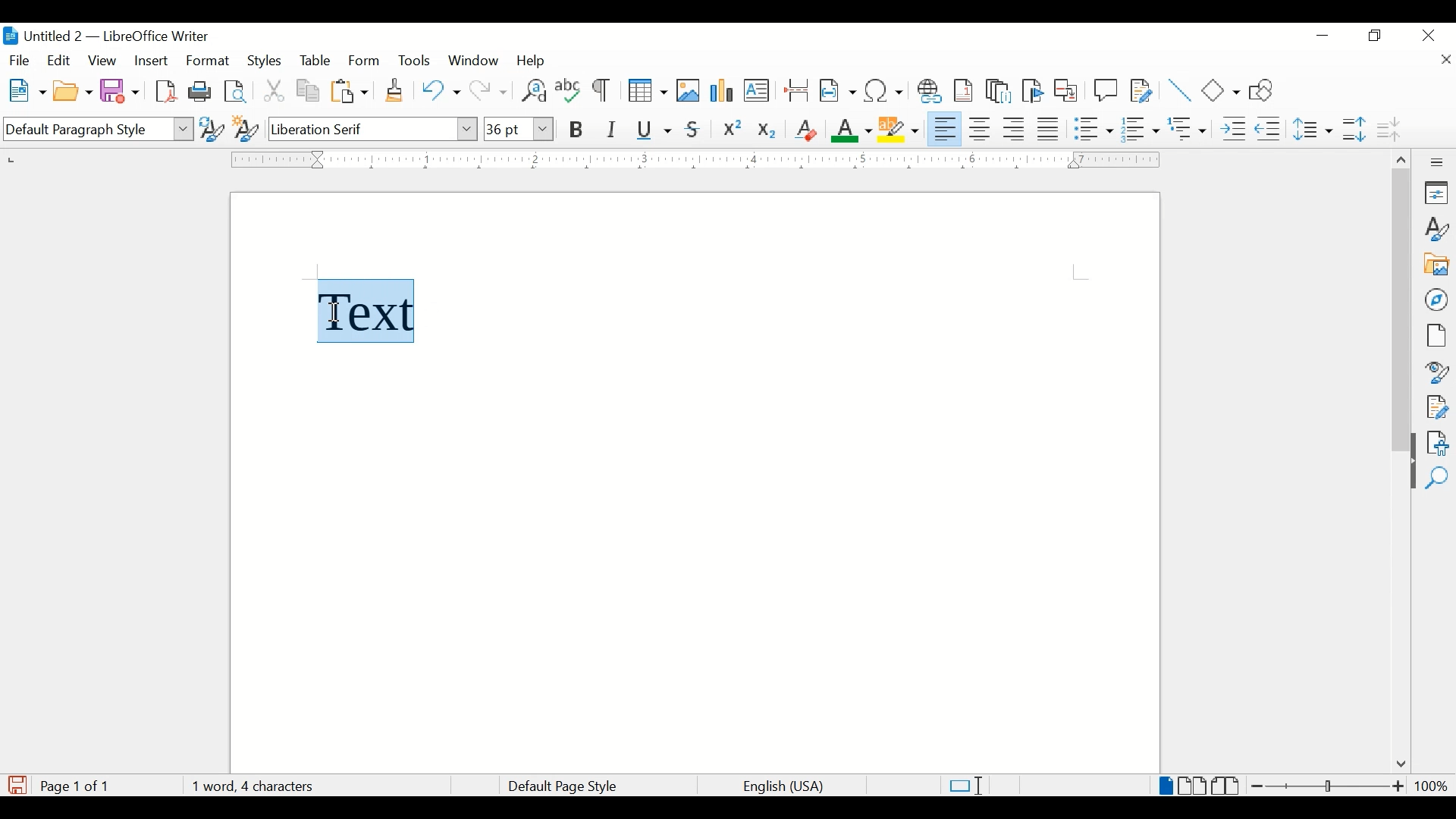 The image size is (1456, 819). What do you see at coordinates (648, 90) in the screenshot?
I see `insert table` at bounding box center [648, 90].